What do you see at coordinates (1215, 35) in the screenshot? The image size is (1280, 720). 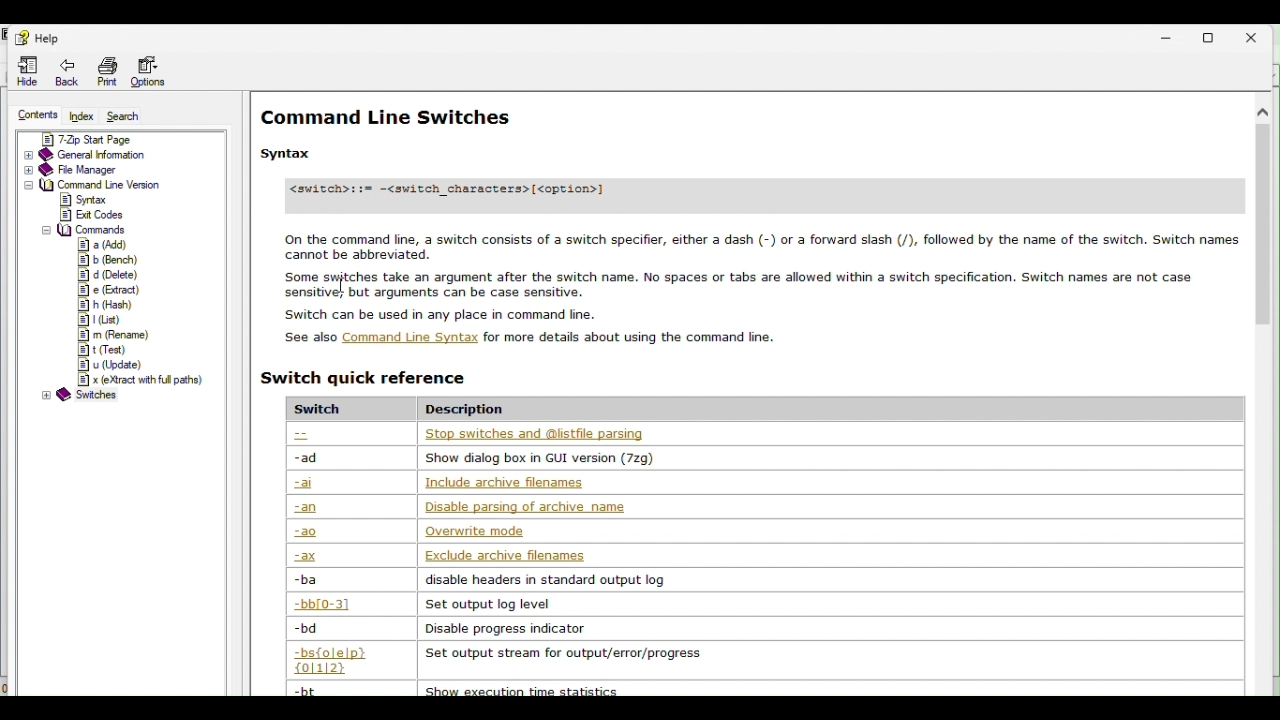 I see `Restore` at bounding box center [1215, 35].